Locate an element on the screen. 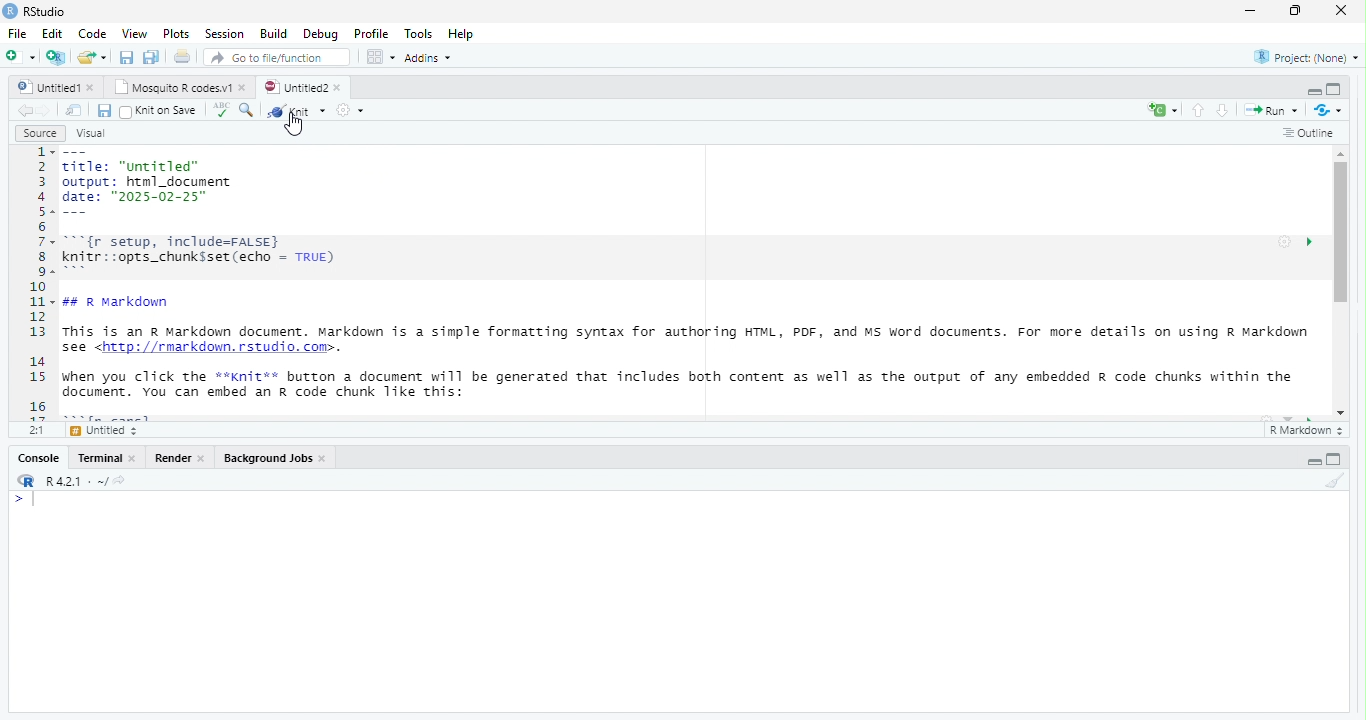 The width and height of the screenshot is (1366, 720). close is located at coordinates (202, 459).